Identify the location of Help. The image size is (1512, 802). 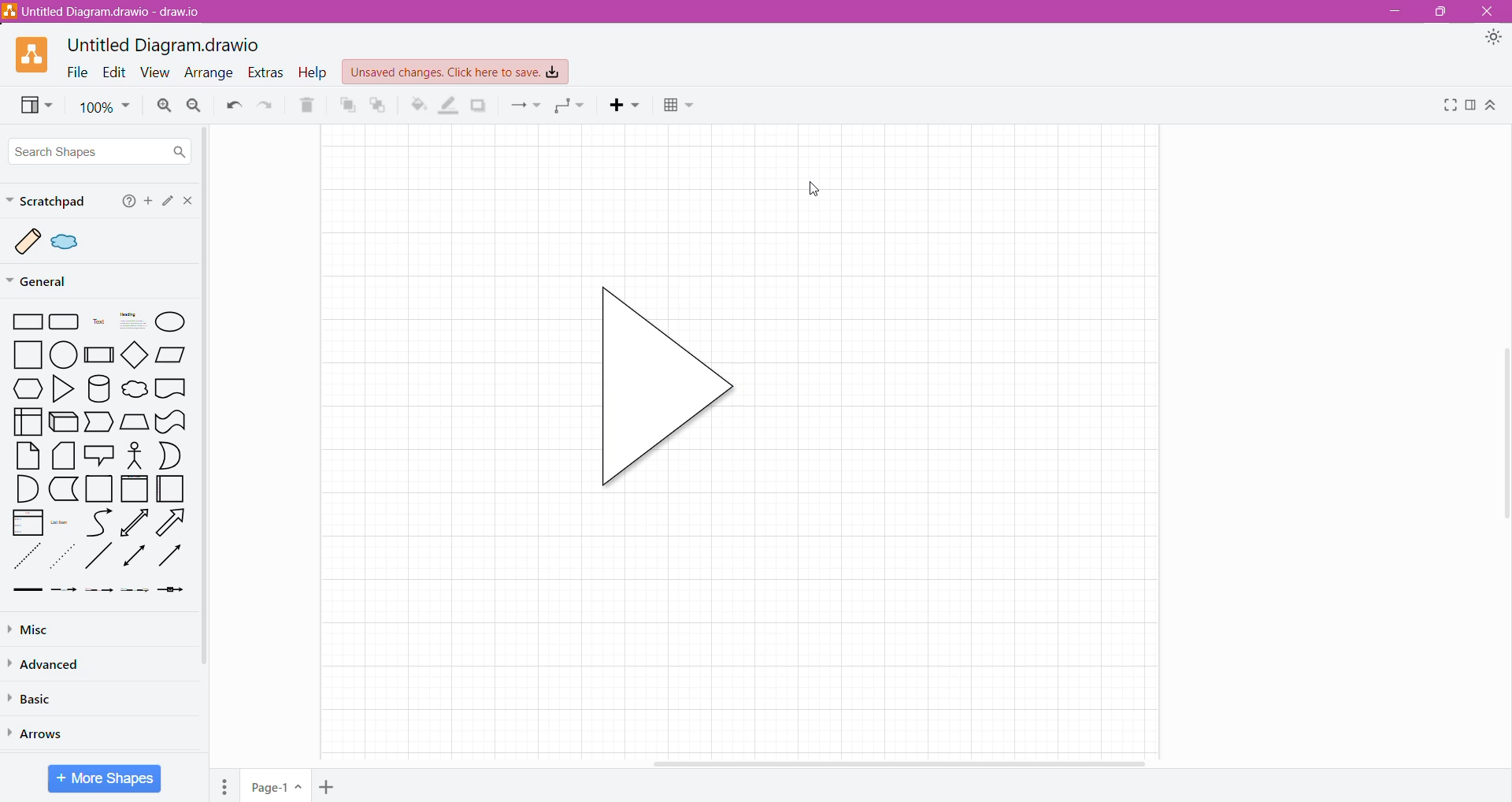
(126, 202).